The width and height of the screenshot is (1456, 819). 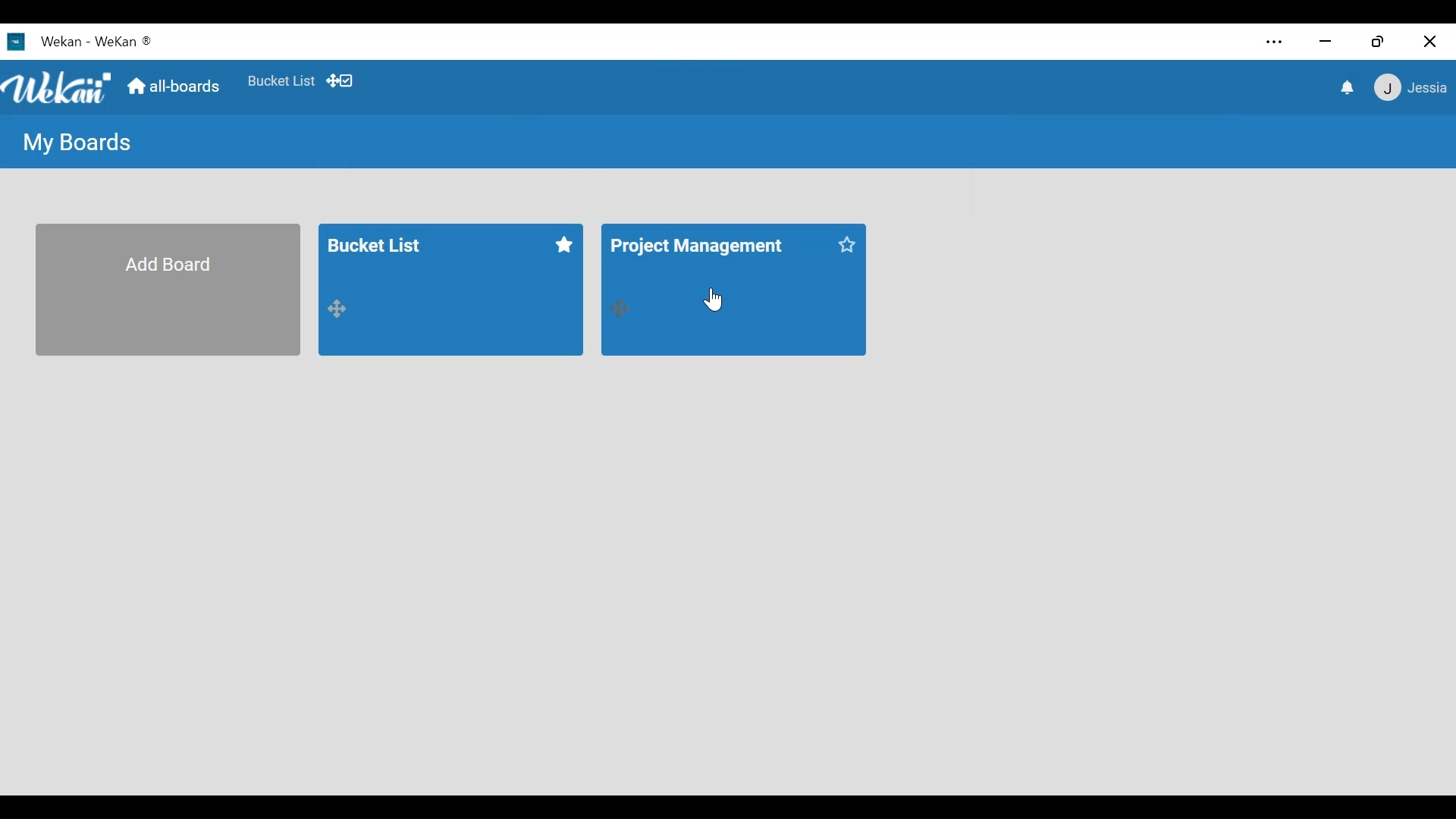 I want to click on Favorites, so click(x=280, y=80).